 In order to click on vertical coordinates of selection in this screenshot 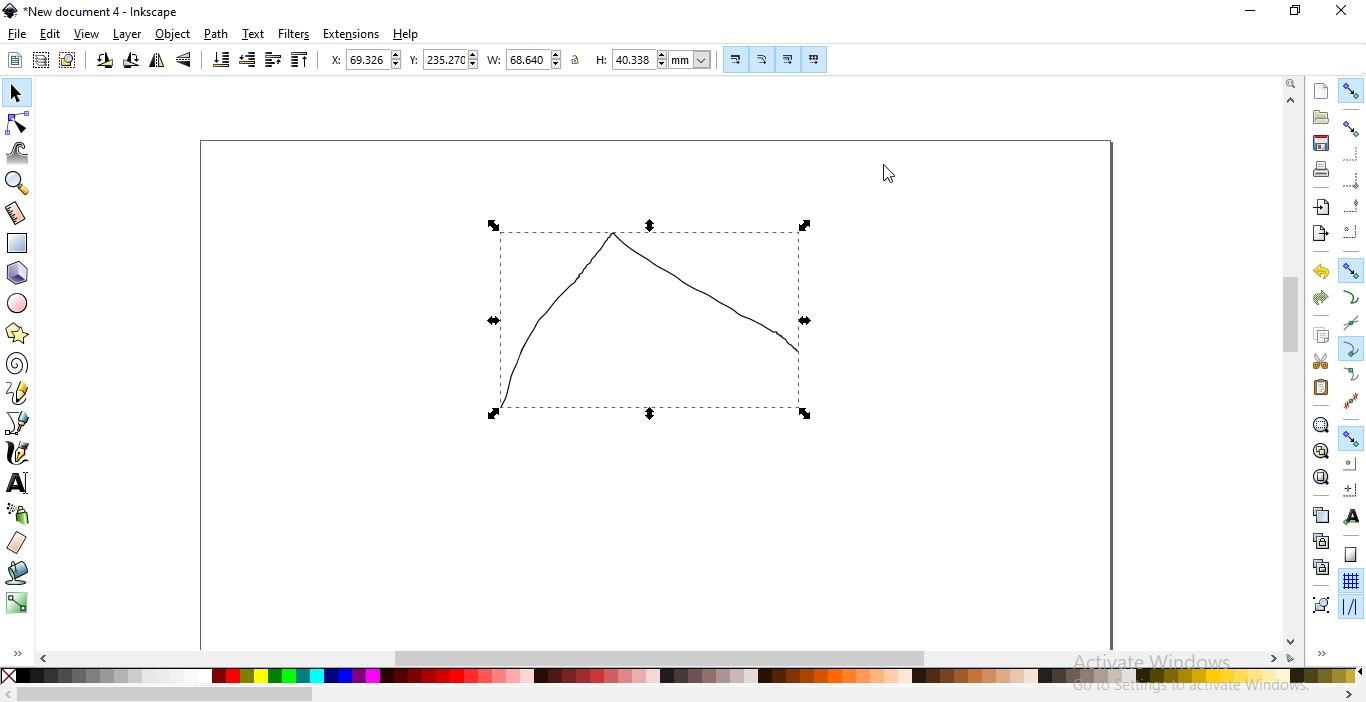, I will do `click(443, 61)`.